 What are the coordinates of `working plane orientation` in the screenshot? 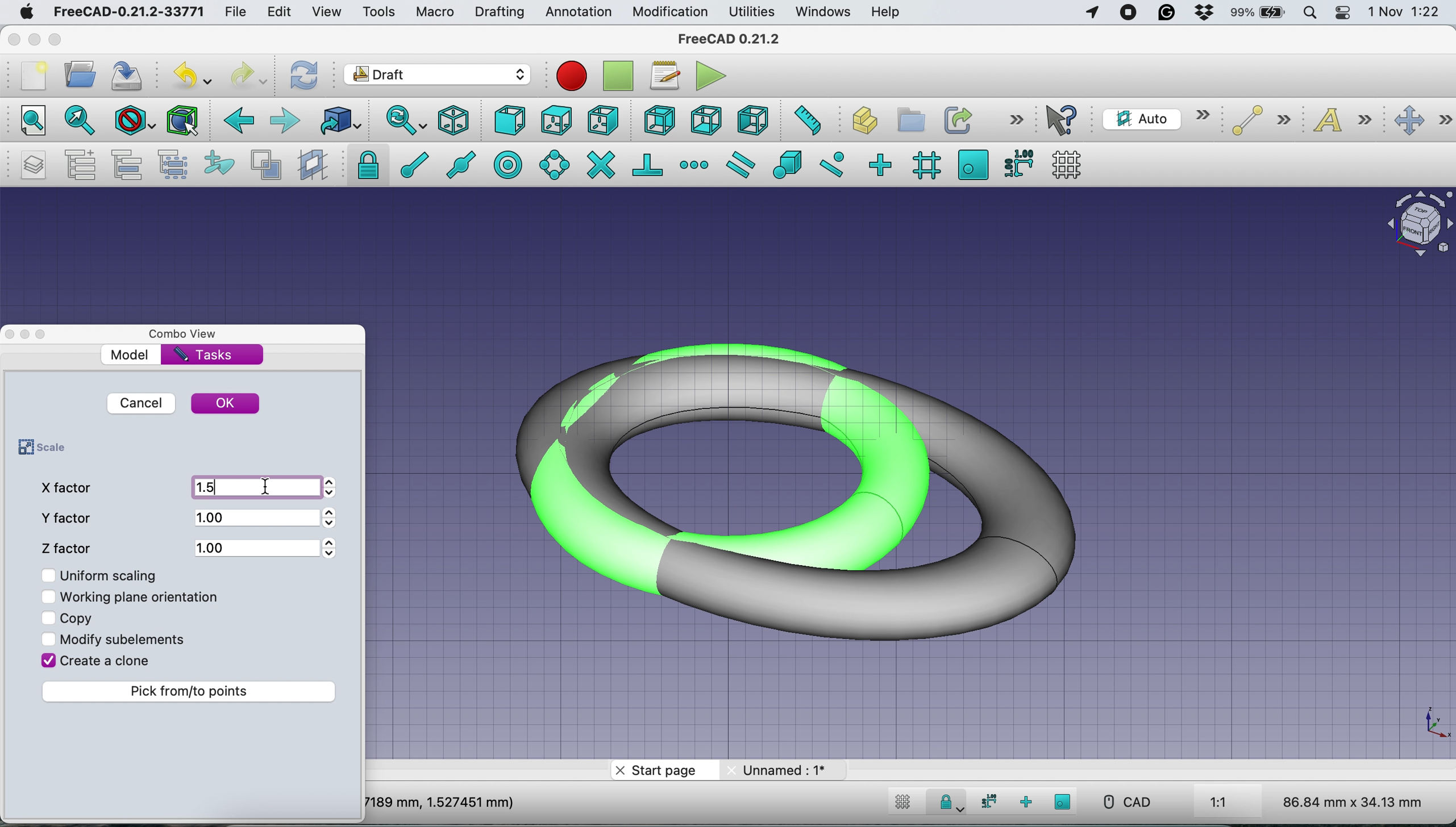 It's located at (145, 596).